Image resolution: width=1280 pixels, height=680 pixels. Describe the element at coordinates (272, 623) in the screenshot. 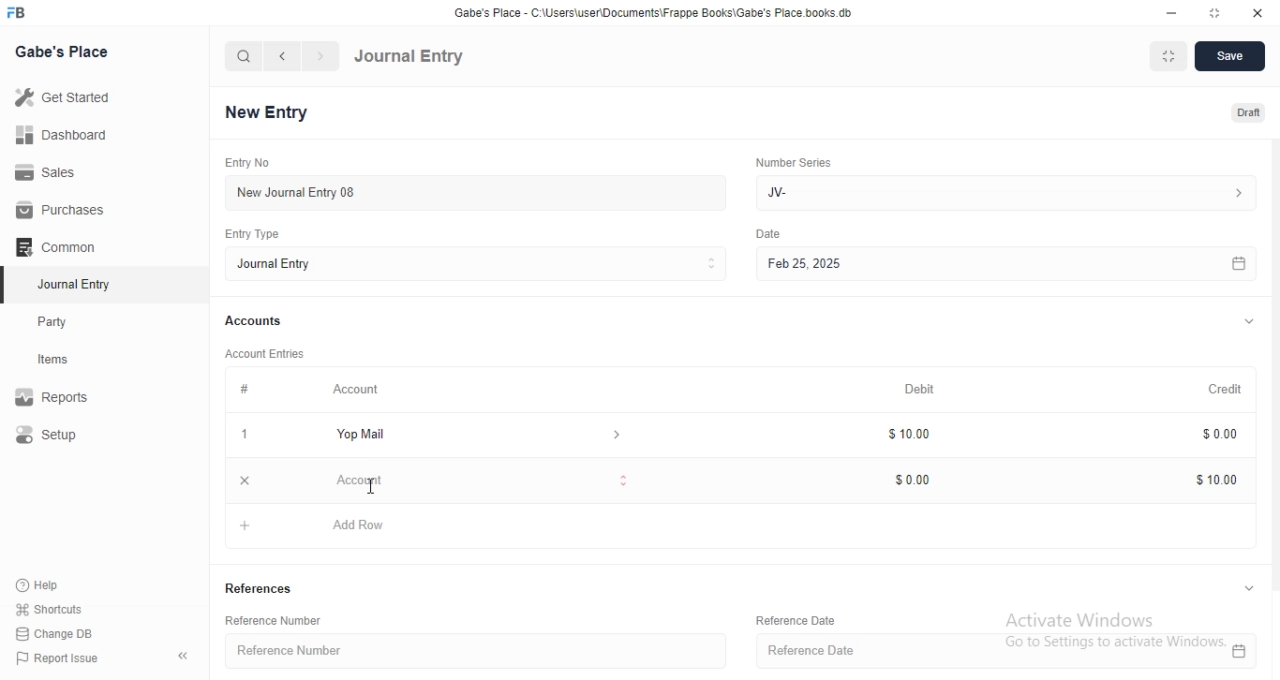

I see `Reference Number` at that location.